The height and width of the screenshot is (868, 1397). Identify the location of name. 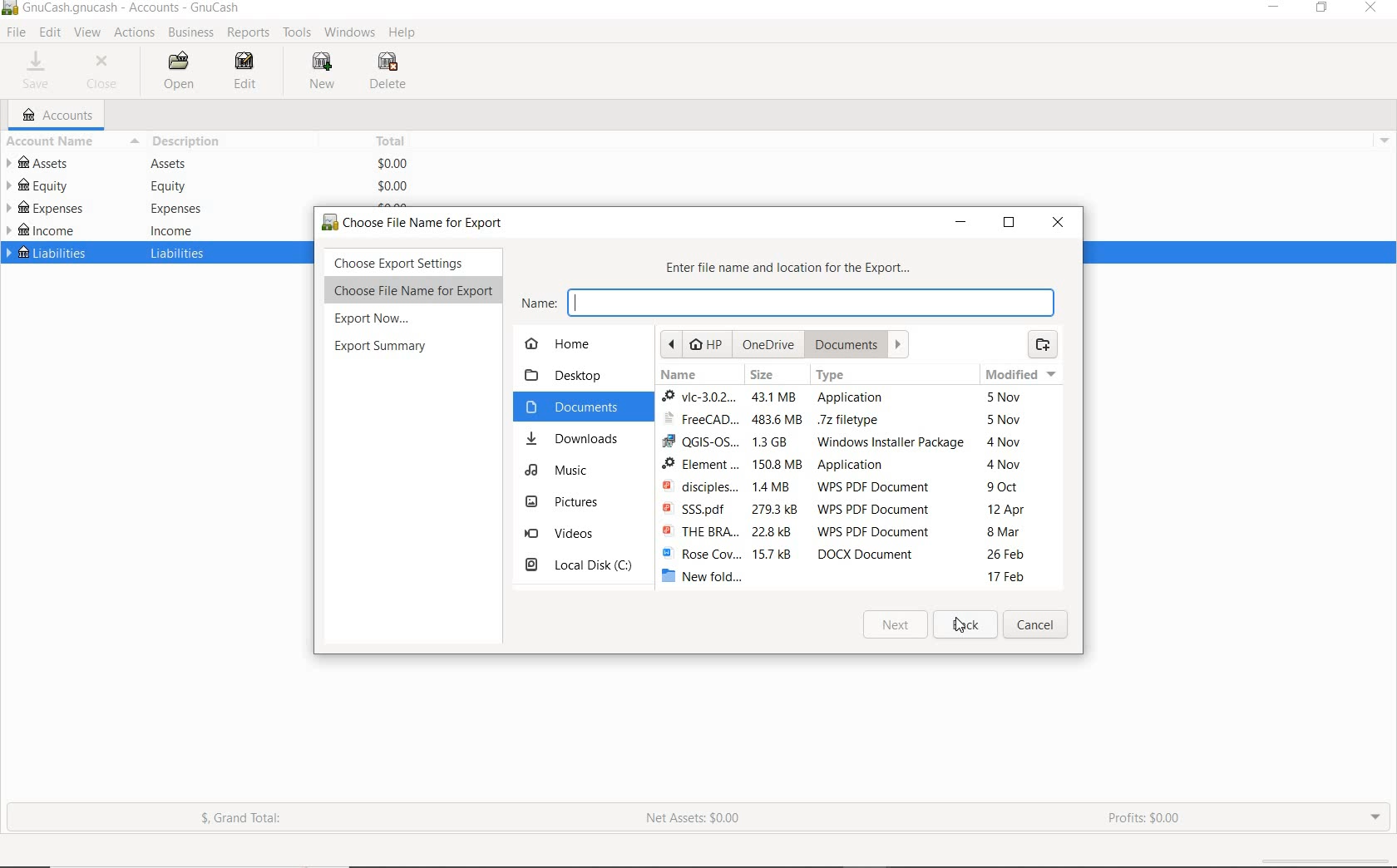
(791, 302).